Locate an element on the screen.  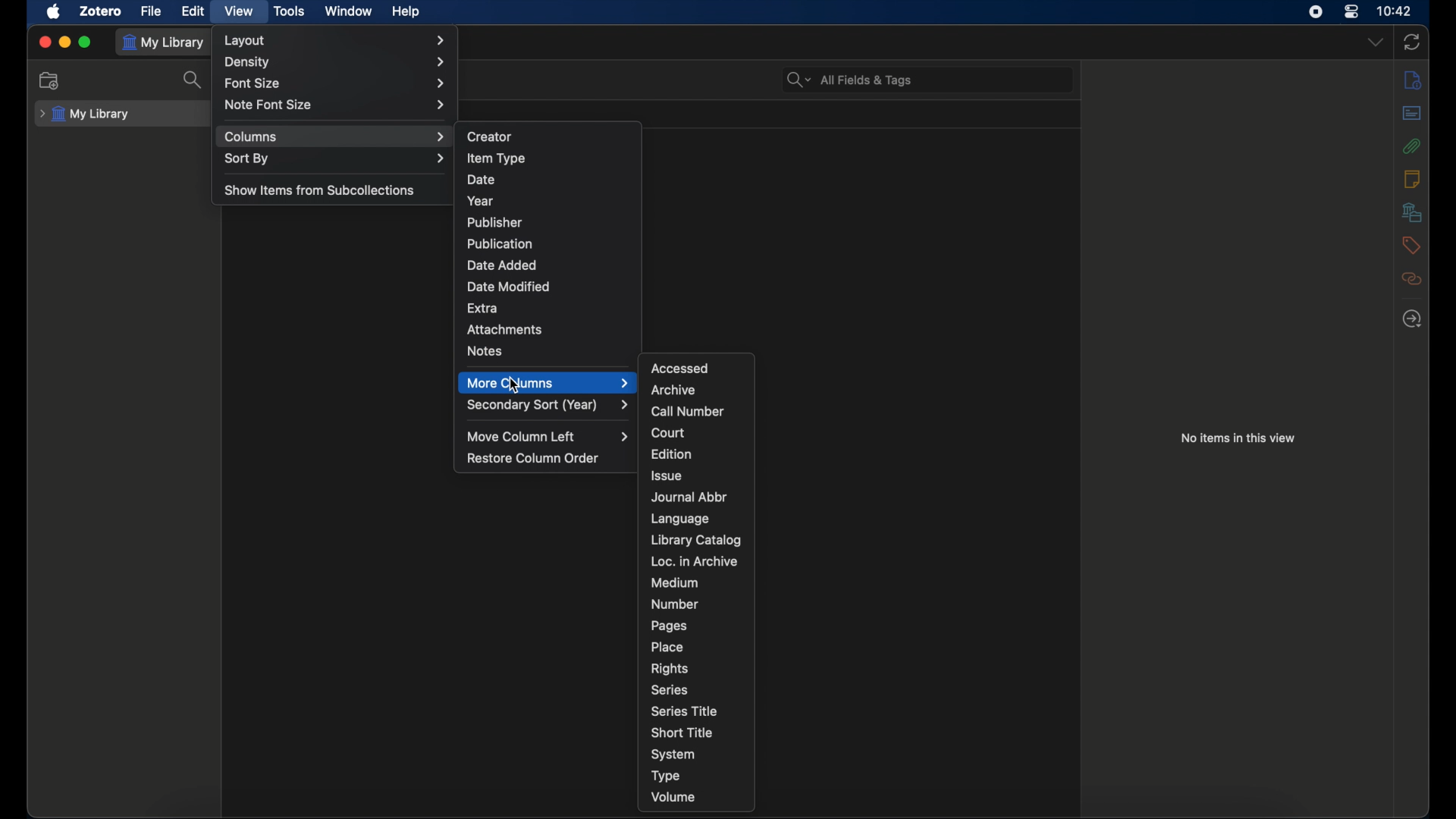
my library is located at coordinates (167, 42).